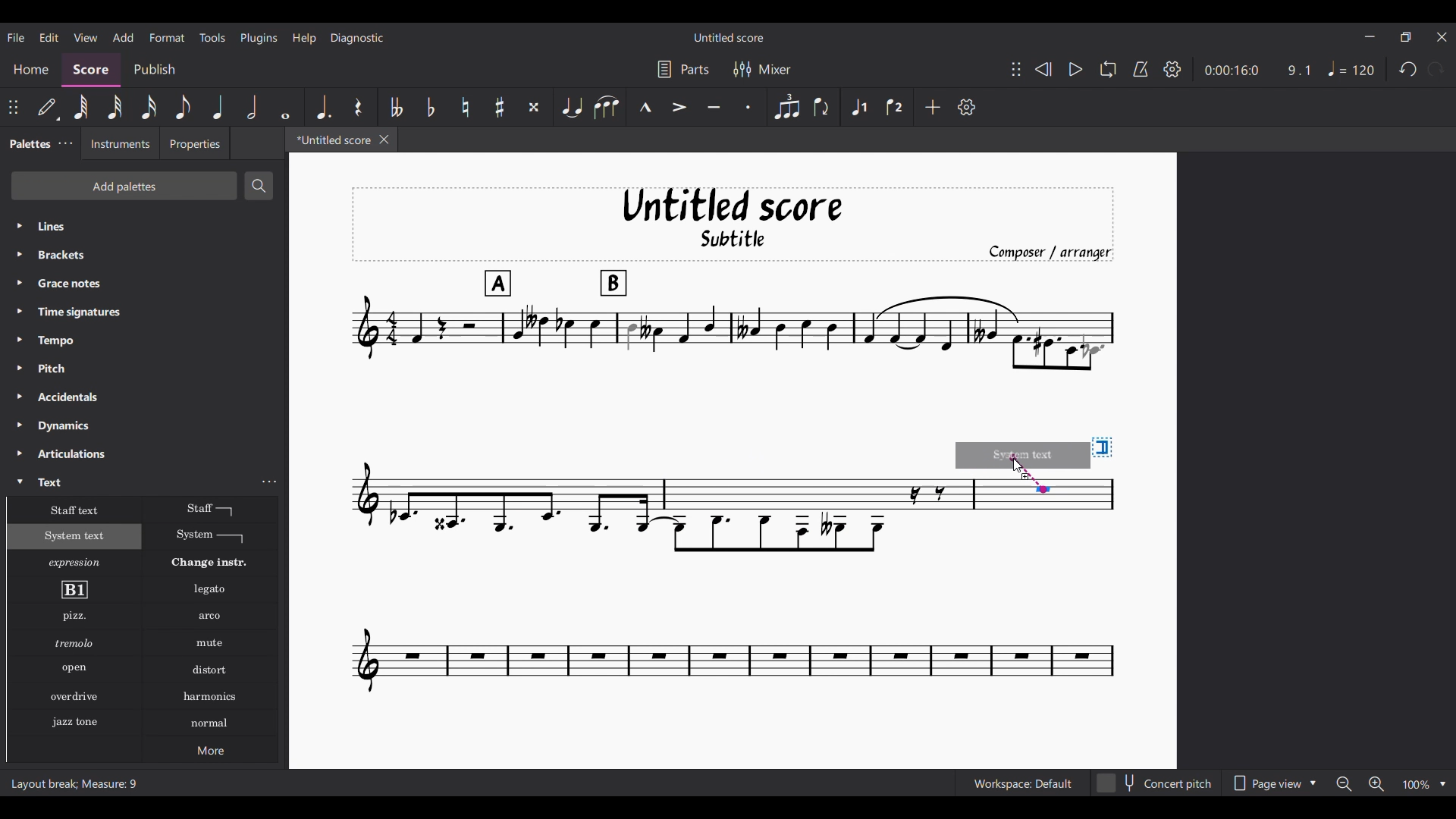 The width and height of the screenshot is (1456, 819). I want to click on Rest, so click(359, 107).